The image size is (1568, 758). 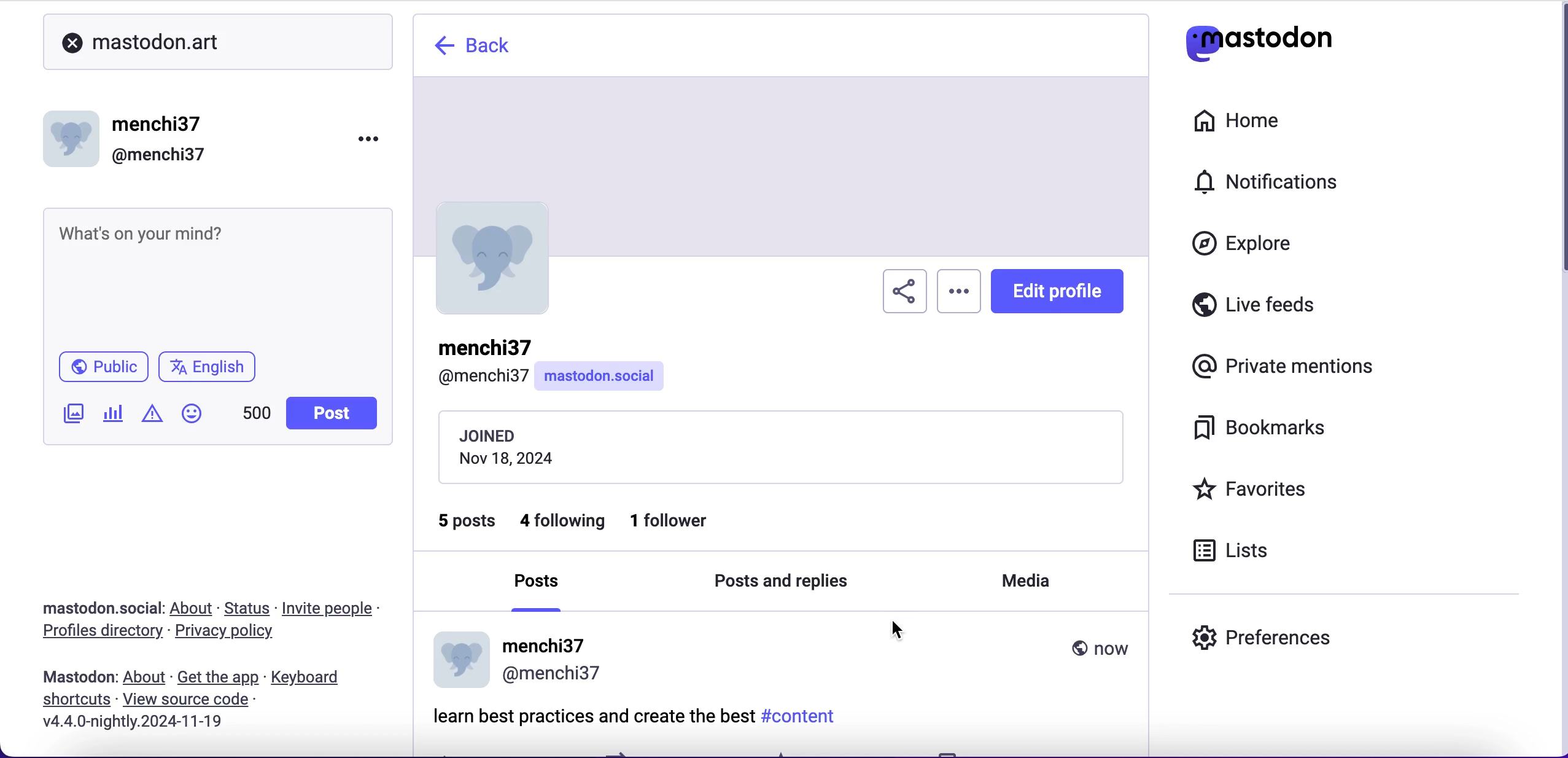 What do you see at coordinates (554, 657) in the screenshot?
I see `menchi37` at bounding box center [554, 657].